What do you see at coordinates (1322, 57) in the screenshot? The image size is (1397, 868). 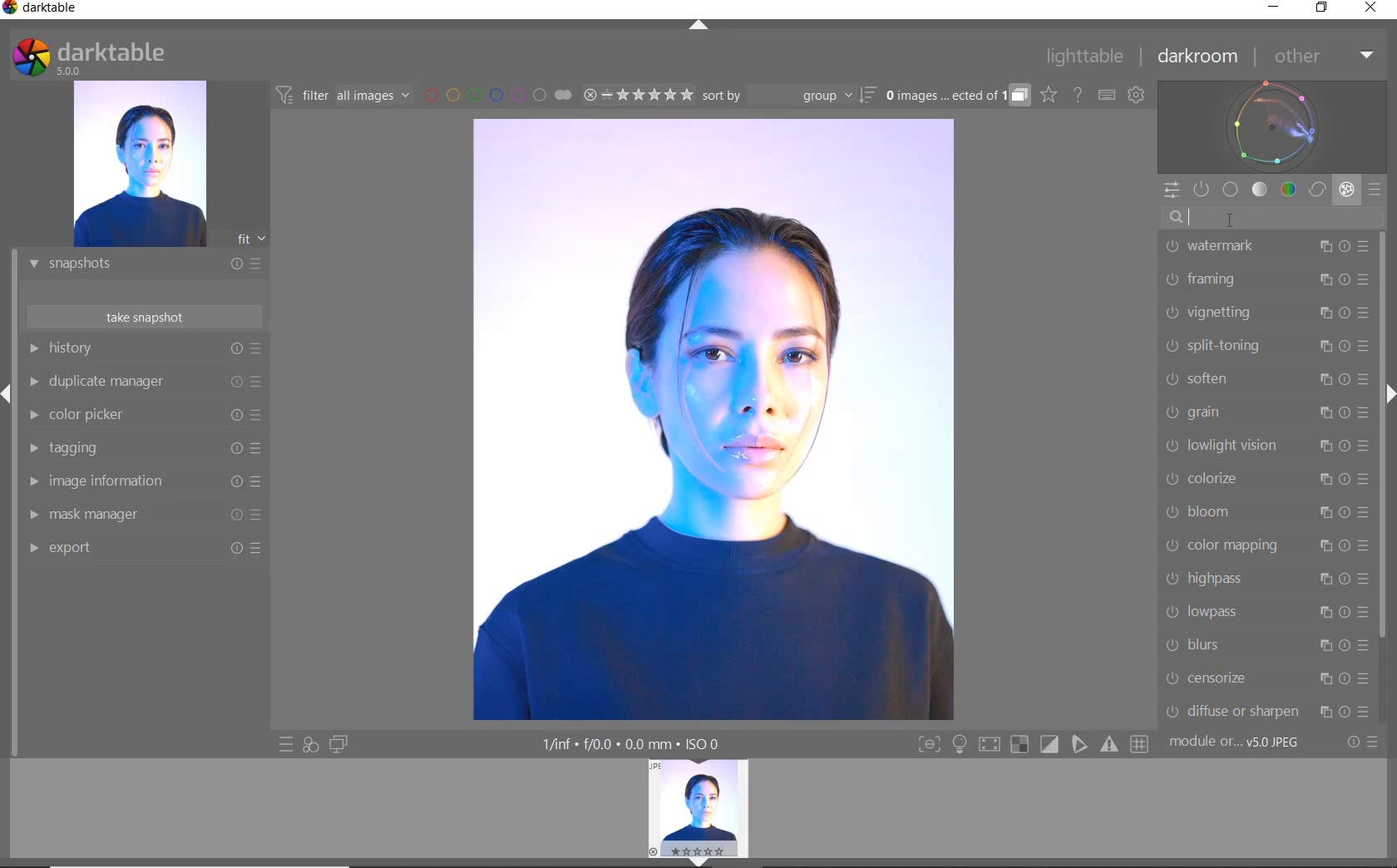 I see `OTHER` at bounding box center [1322, 57].